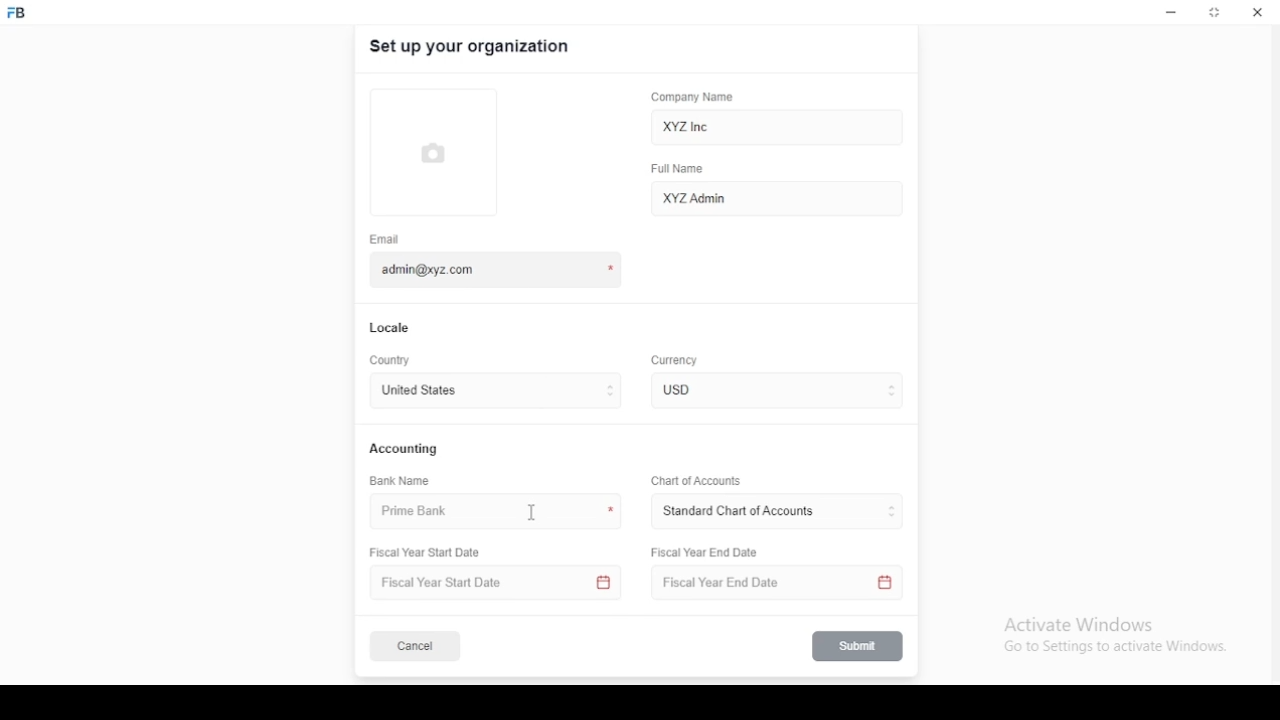  What do you see at coordinates (737, 512) in the screenshot?
I see `L ‘Standard Chart of Accounts` at bounding box center [737, 512].